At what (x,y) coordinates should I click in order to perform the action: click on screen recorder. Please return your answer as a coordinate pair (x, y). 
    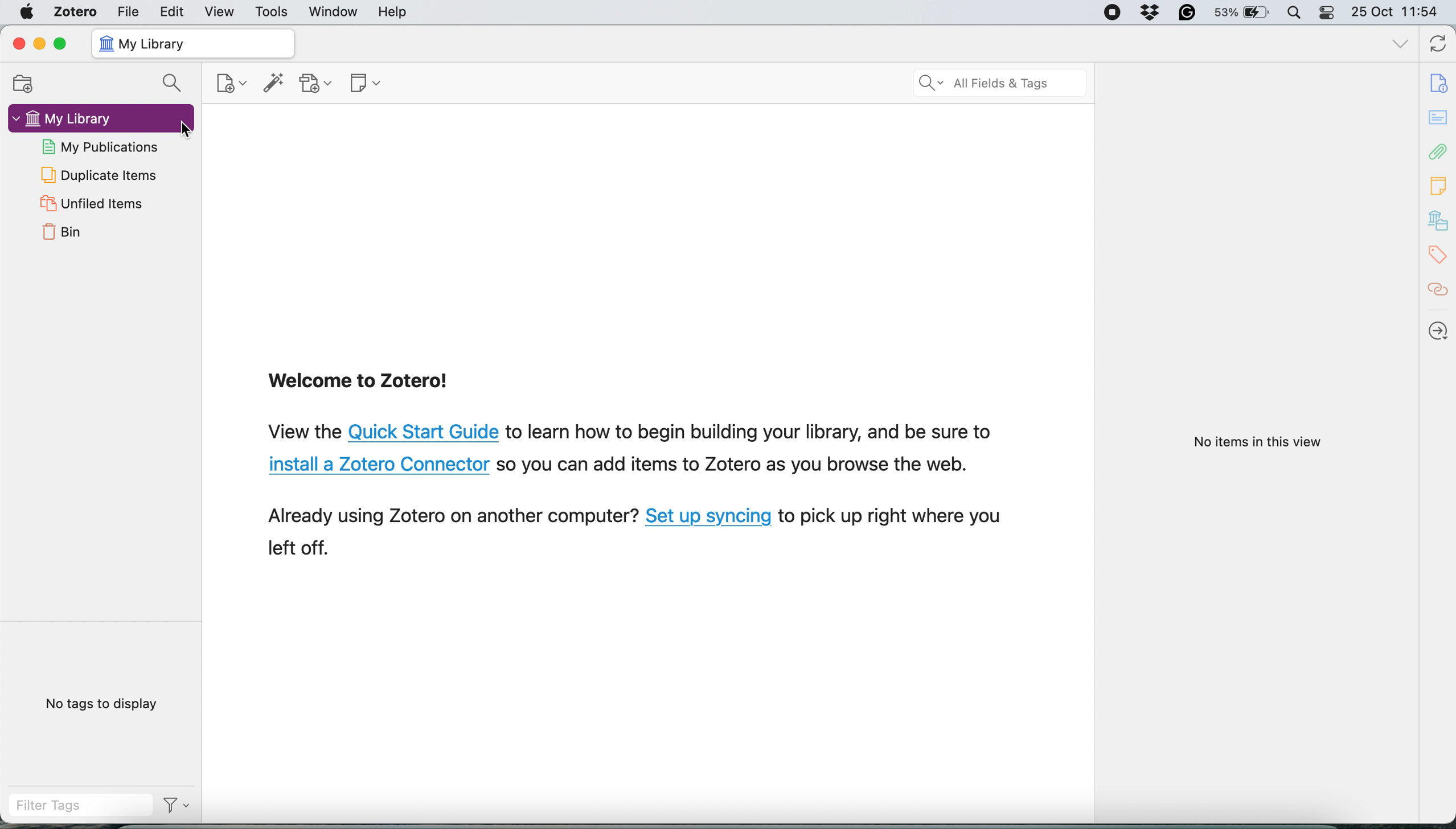
    Looking at the image, I should click on (1110, 13).